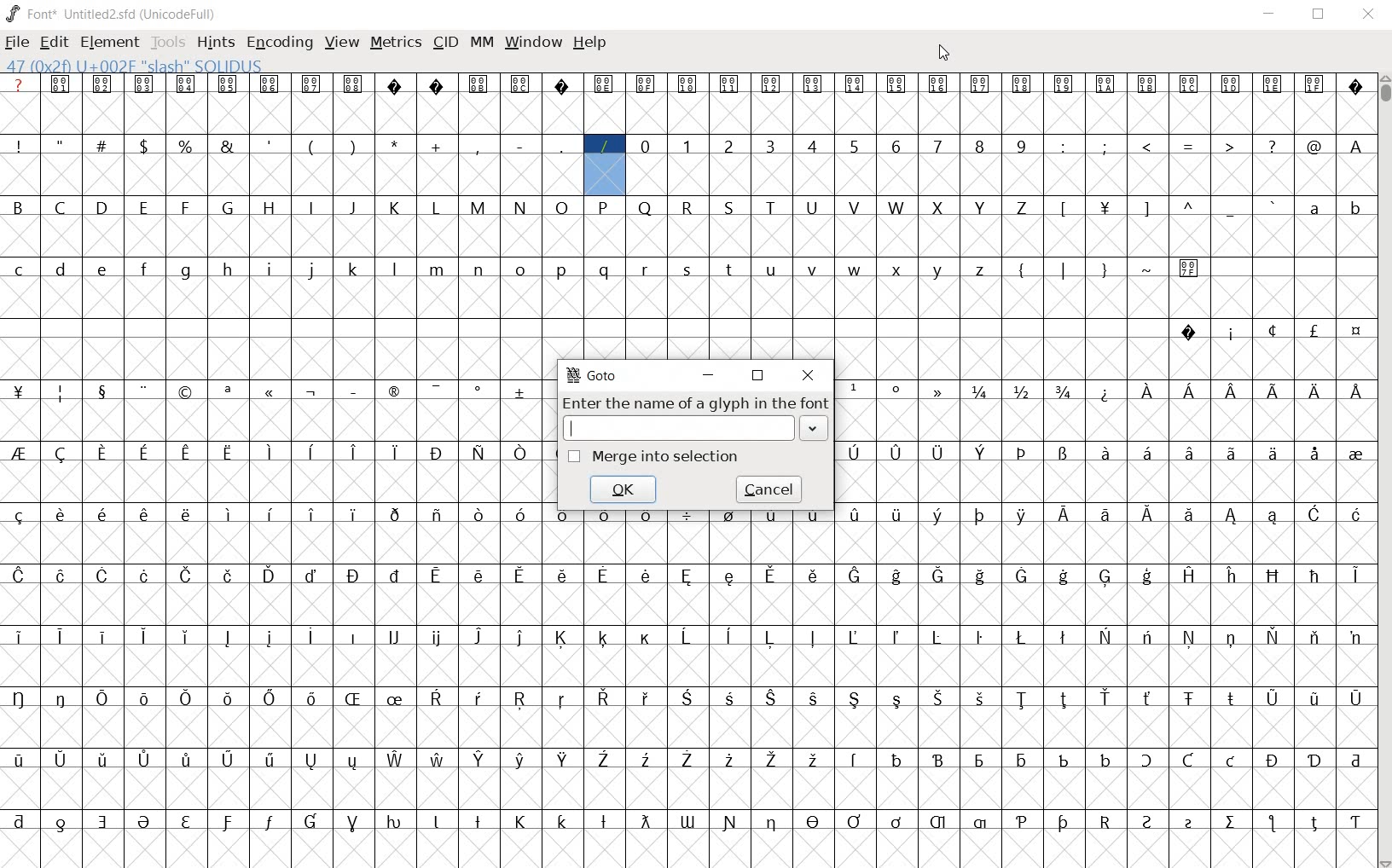 This screenshot has height=868, width=1392. What do you see at coordinates (61, 454) in the screenshot?
I see `glyph` at bounding box center [61, 454].